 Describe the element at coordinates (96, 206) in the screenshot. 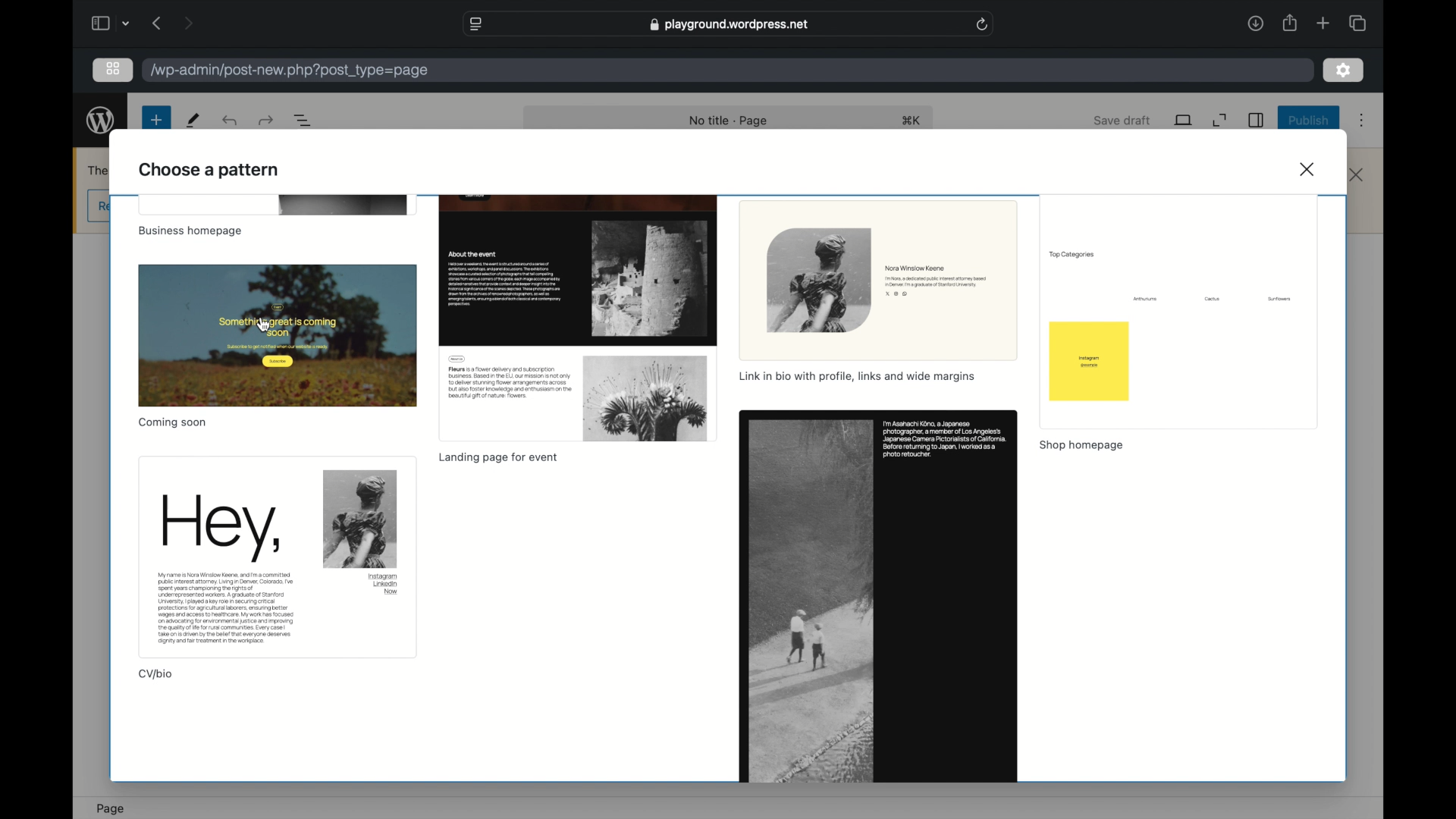

I see `obscure button` at that location.